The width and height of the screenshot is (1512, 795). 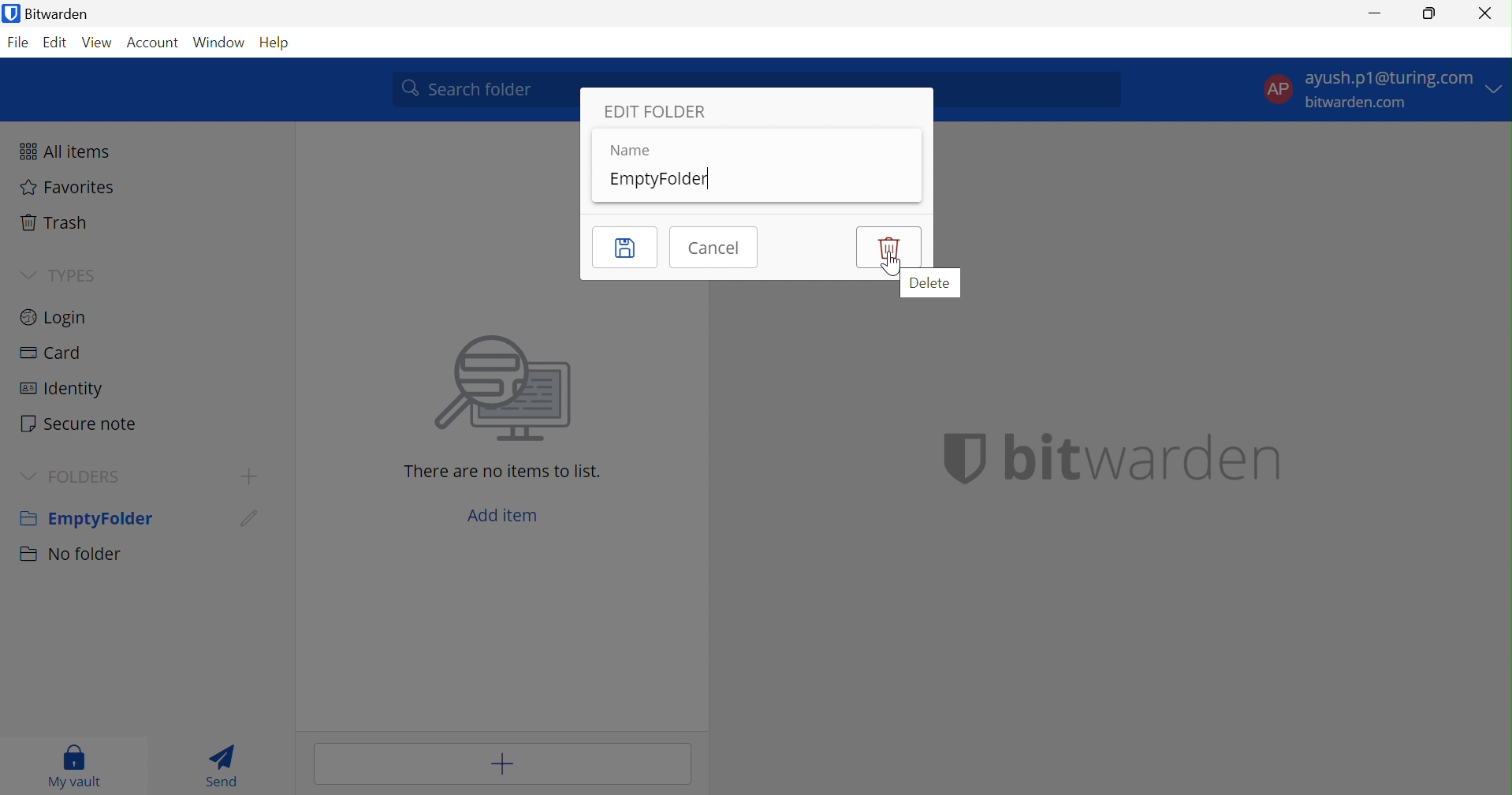 What do you see at coordinates (246, 524) in the screenshot?
I see `Cursor` at bounding box center [246, 524].